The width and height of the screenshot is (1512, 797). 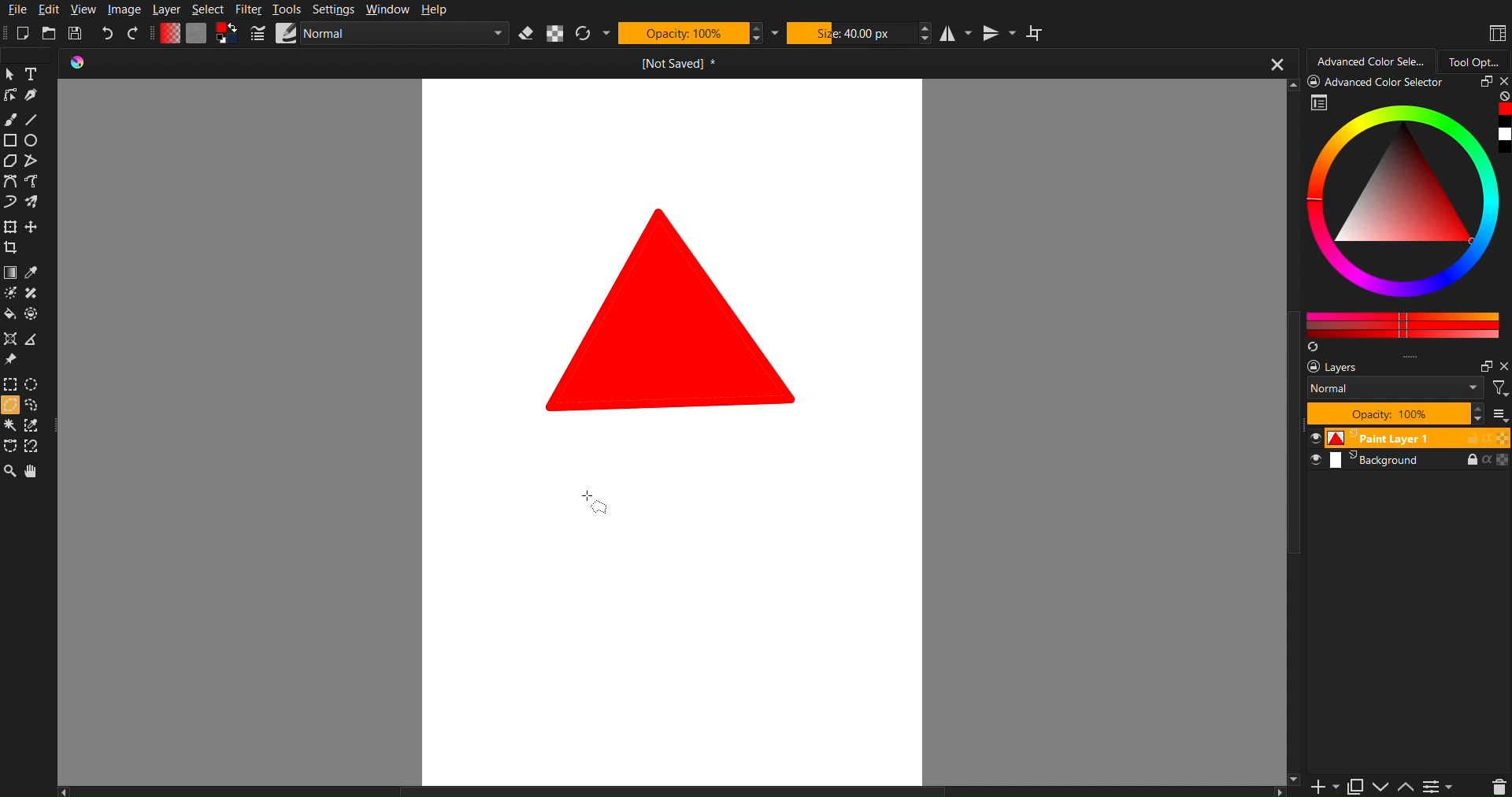 I want to click on Shapper, so click(x=9, y=339).